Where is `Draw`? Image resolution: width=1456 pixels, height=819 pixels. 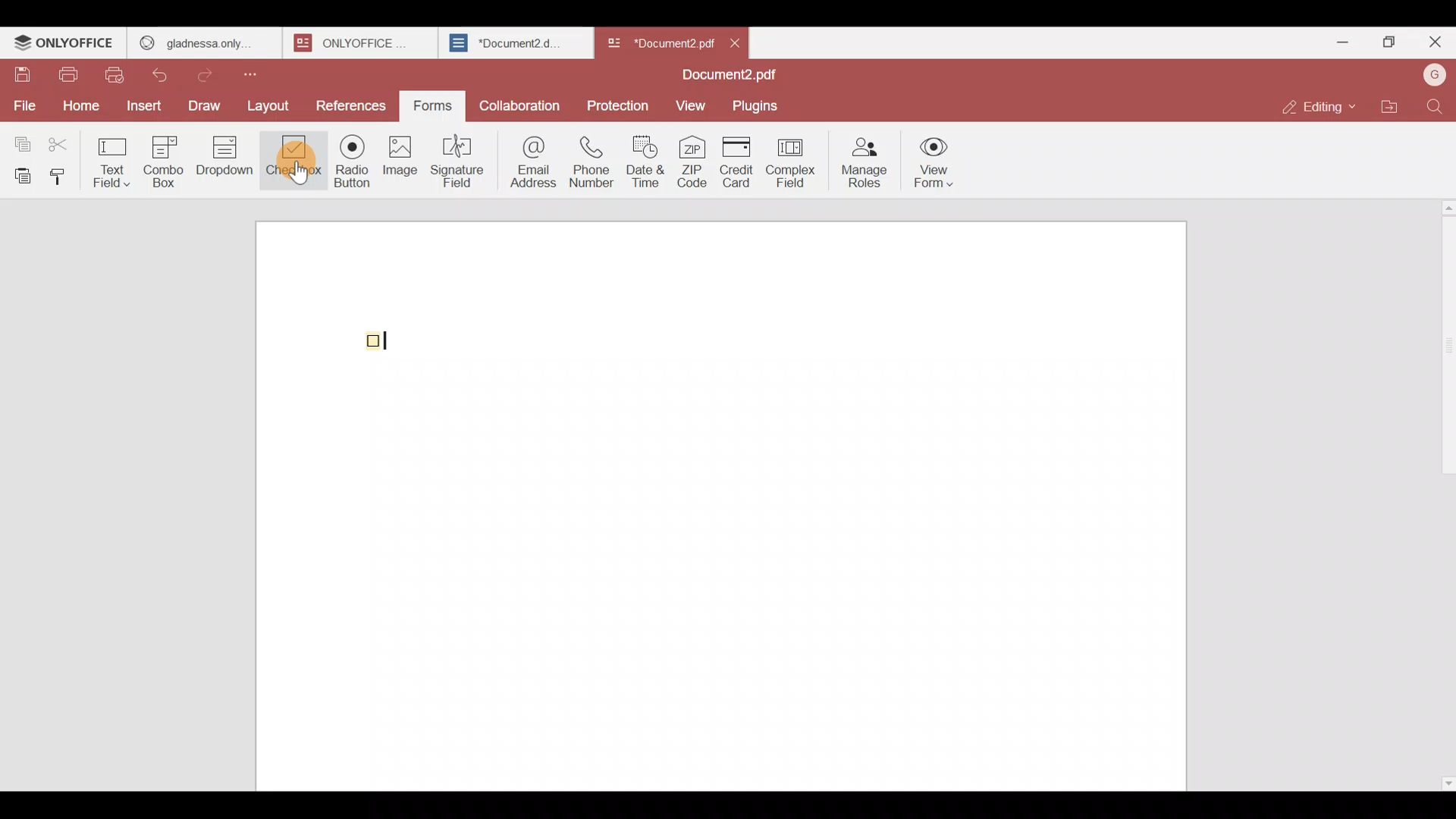 Draw is located at coordinates (209, 104).